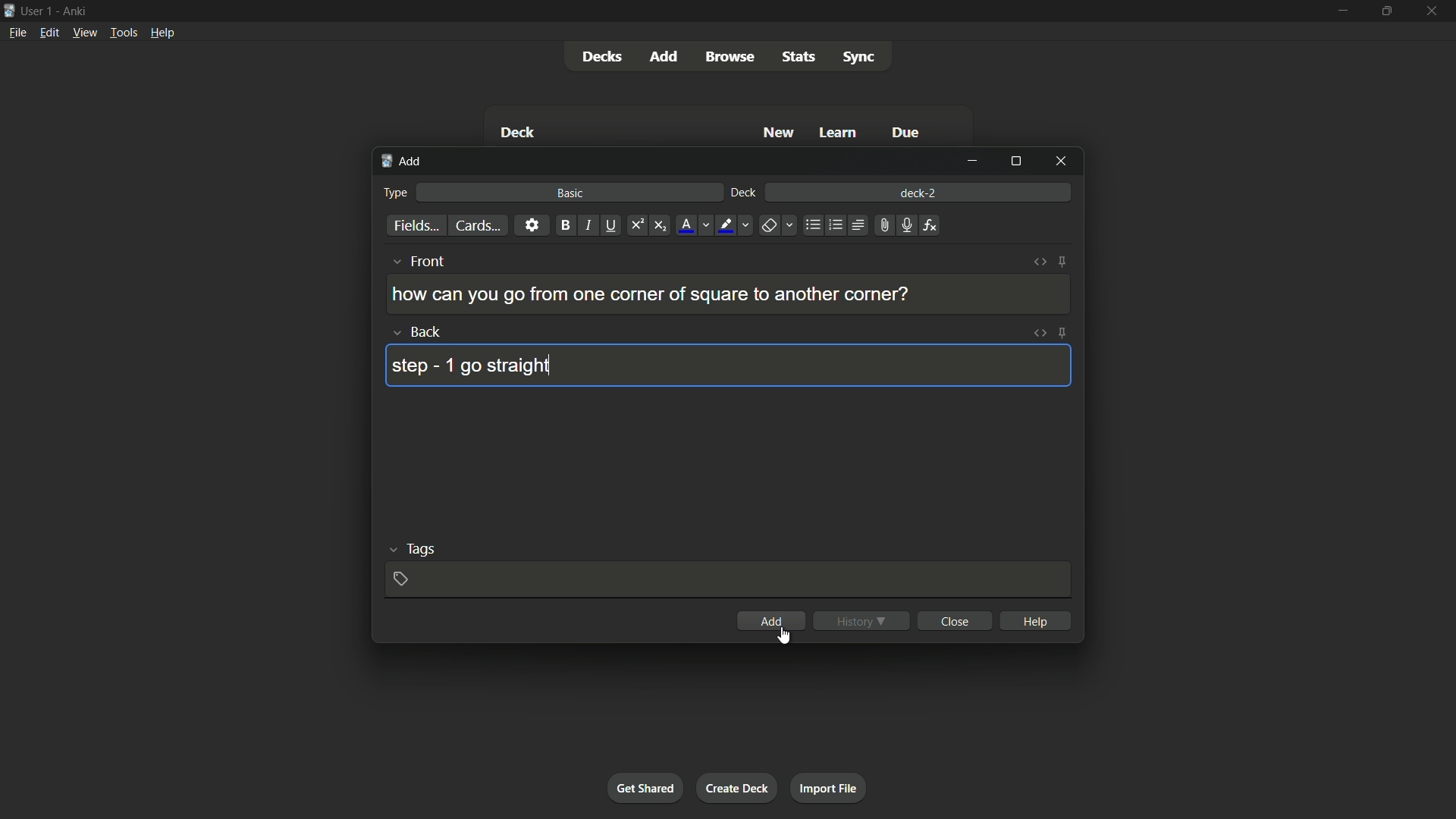 Image resolution: width=1456 pixels, height=819 pixels. What do you see at coordinates (84, 33) in the screenshot?
I see `view menu` at bounding box center [84, 33].